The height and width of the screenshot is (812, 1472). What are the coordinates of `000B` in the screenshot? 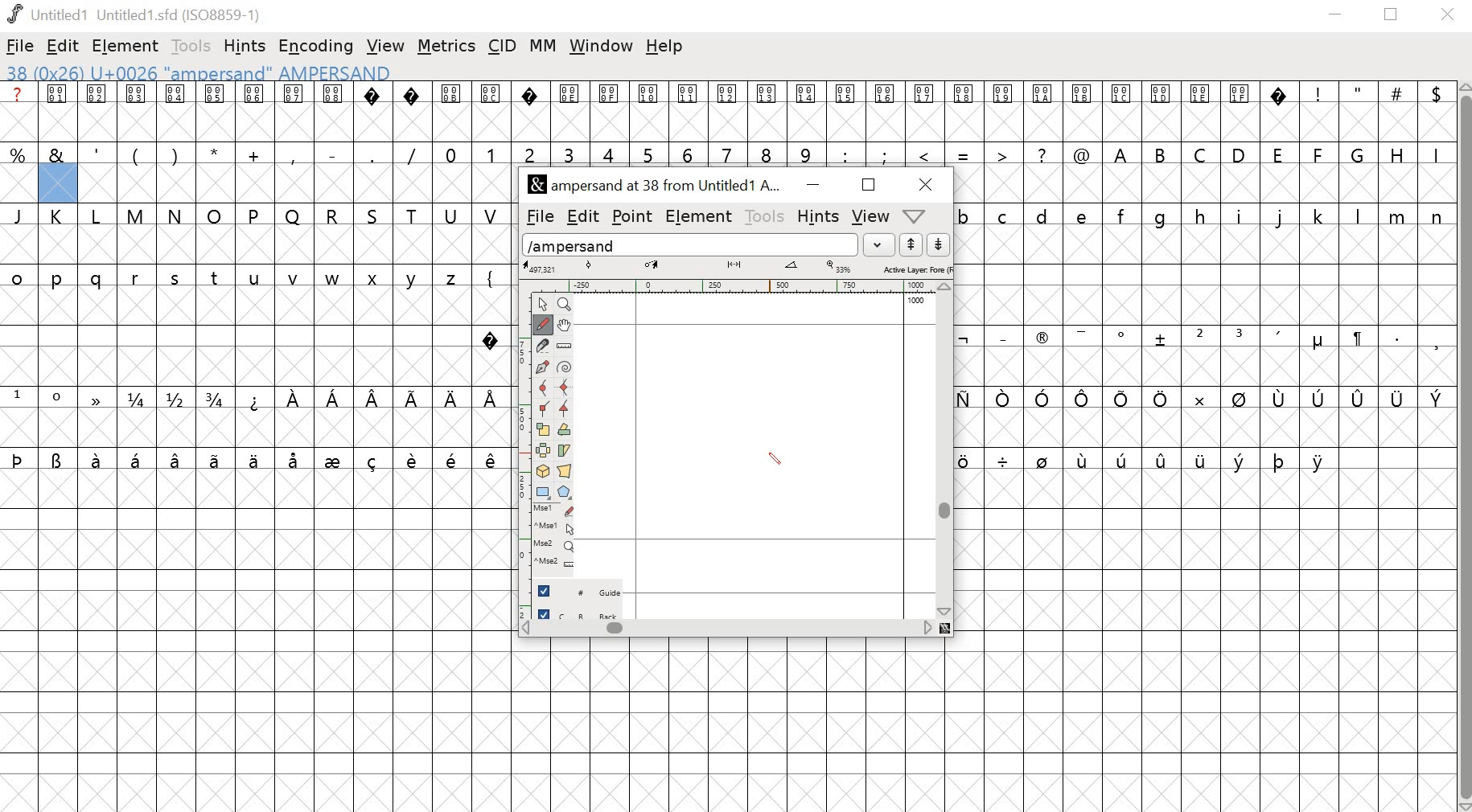 It's located at (450, 111).